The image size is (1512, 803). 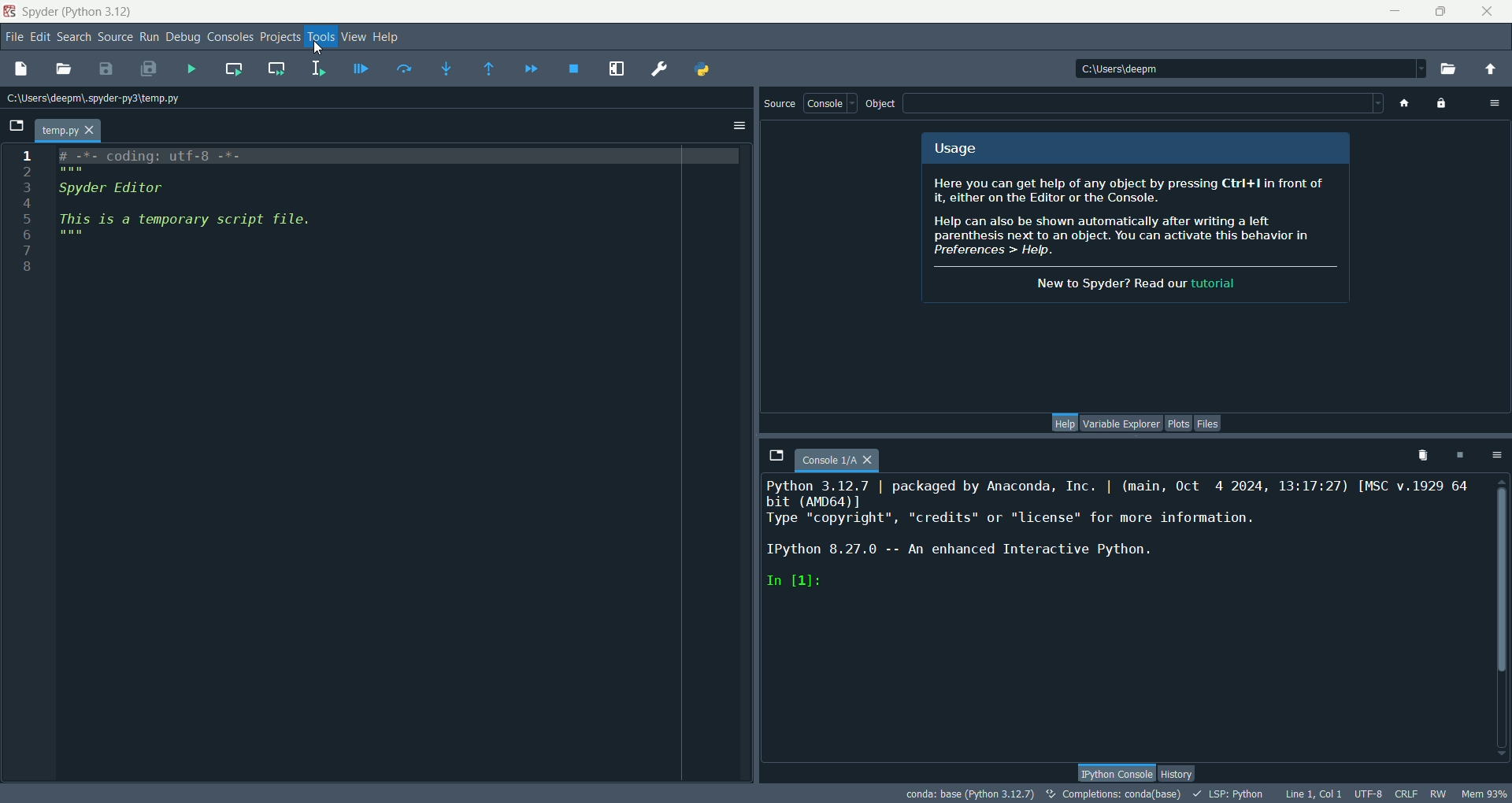 I want to click on location, so click(x=1251, y=67).